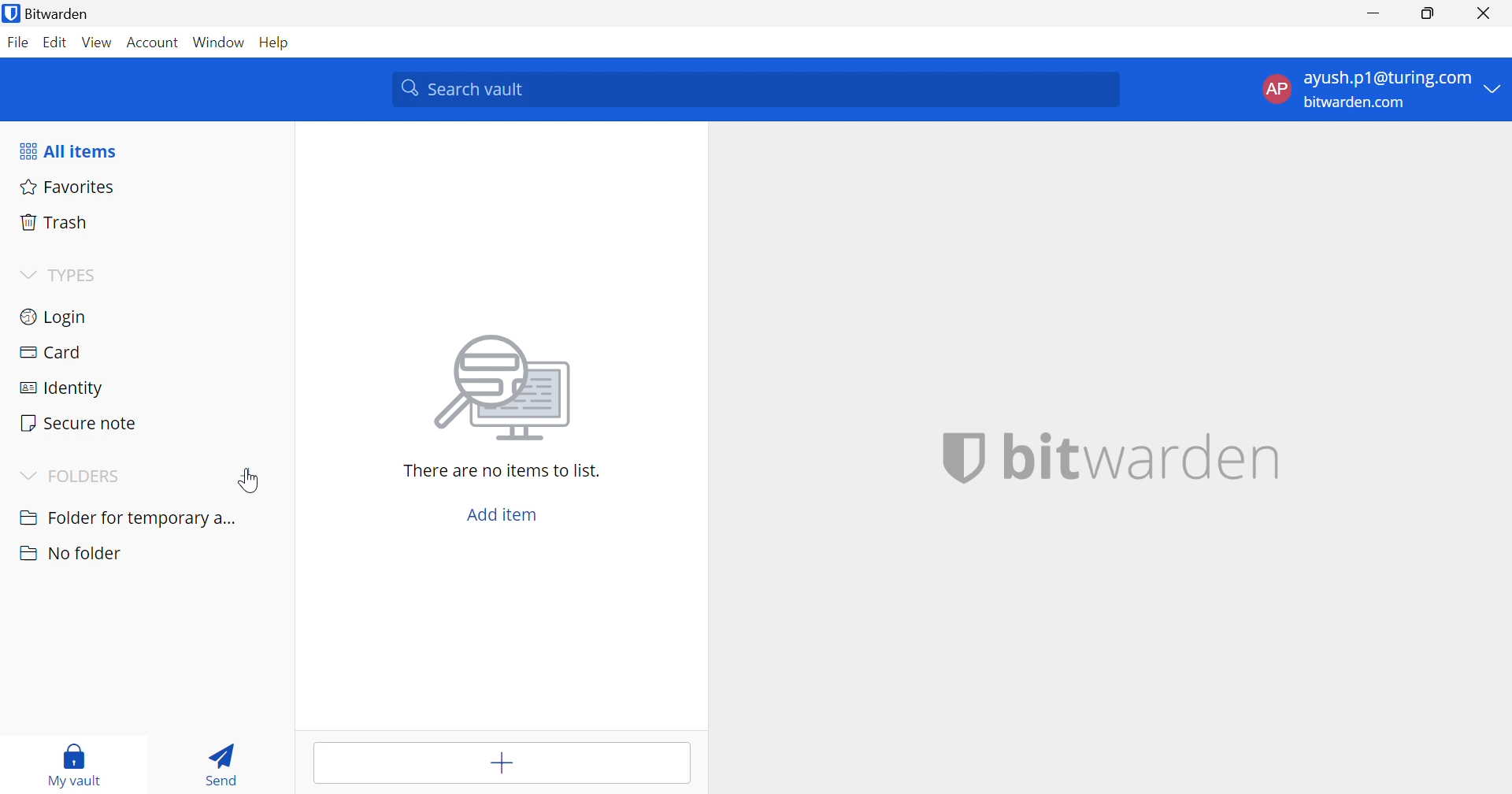 The image size is (1512, 794). What do you see at coordinates (272, 41) in the screenshot?
I see `Help` at bounding box center [272, 41].